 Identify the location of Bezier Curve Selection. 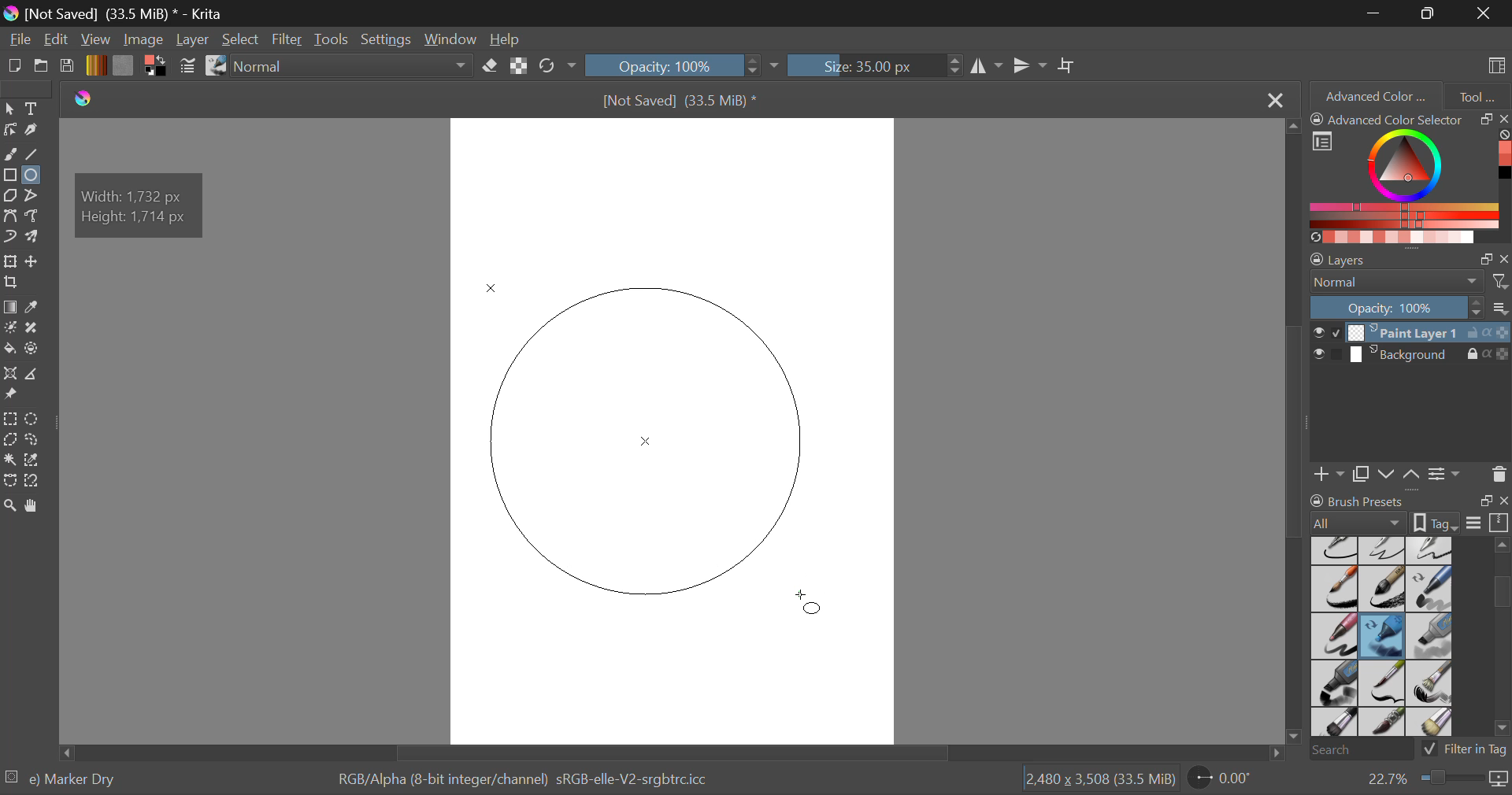
(9, 481).